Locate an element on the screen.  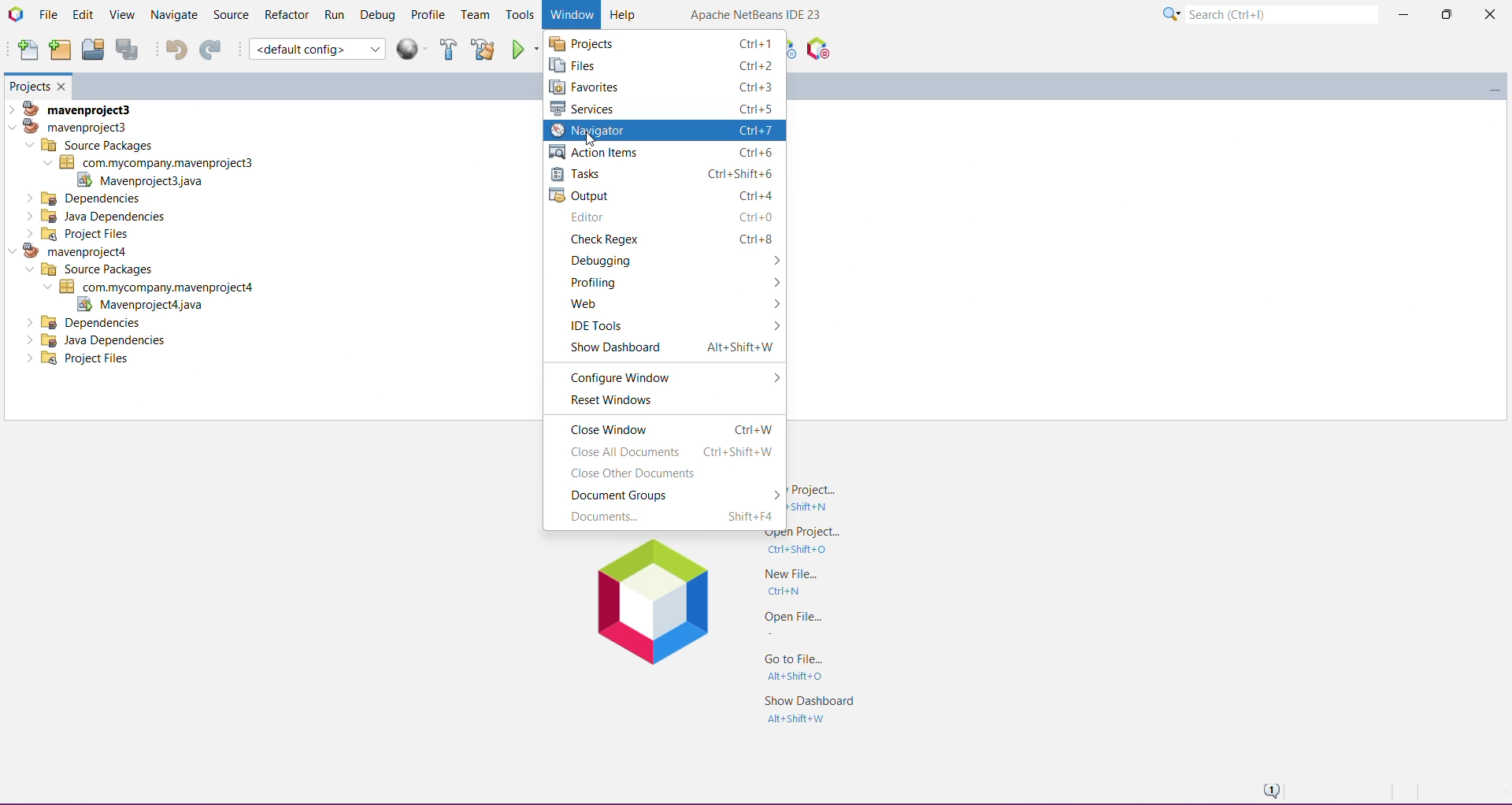
Window is located at coordinates (569, 15).